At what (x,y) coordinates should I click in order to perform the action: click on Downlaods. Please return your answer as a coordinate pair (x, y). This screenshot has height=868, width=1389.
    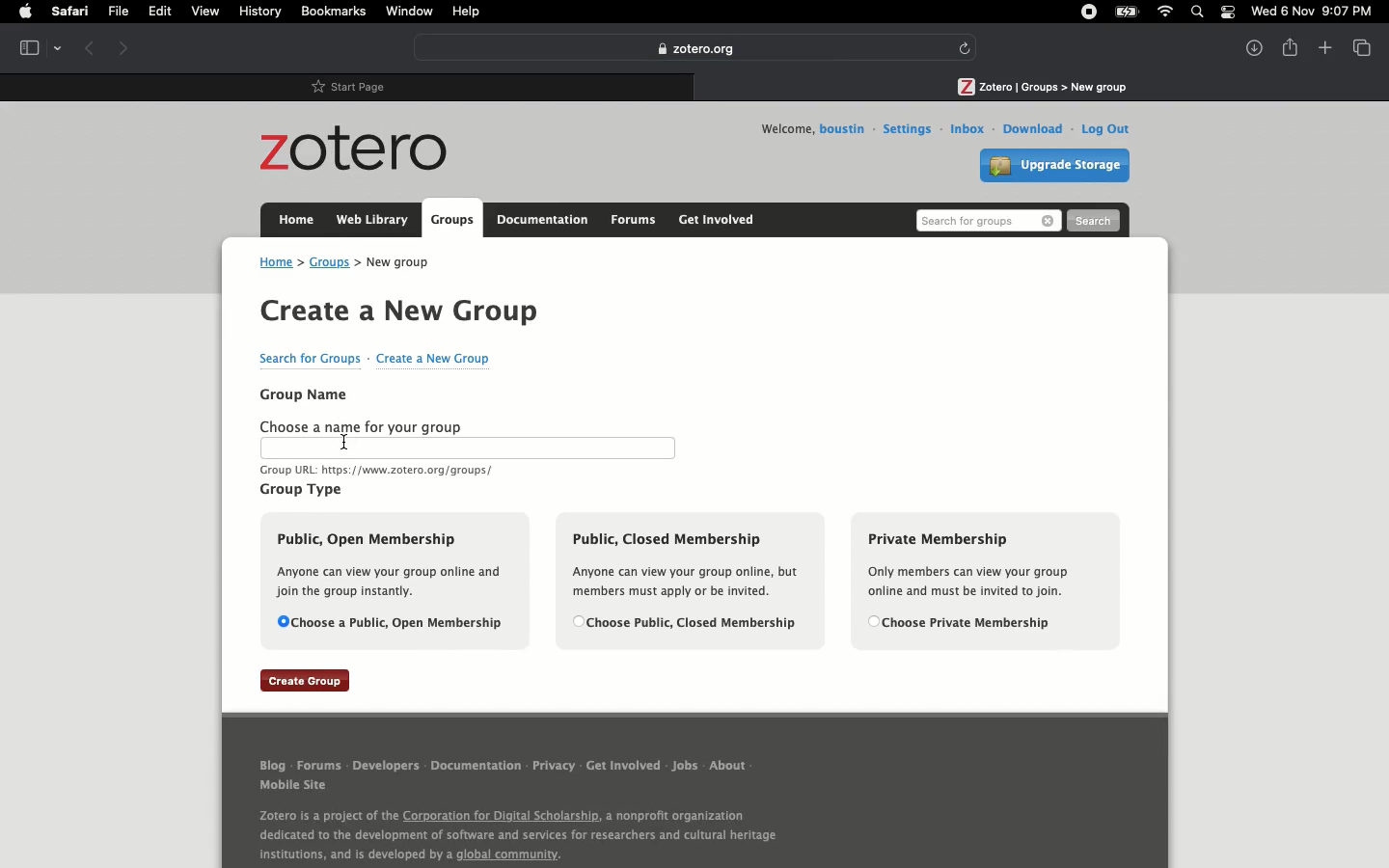
    Looking at the image, I should click on (1248, 46).